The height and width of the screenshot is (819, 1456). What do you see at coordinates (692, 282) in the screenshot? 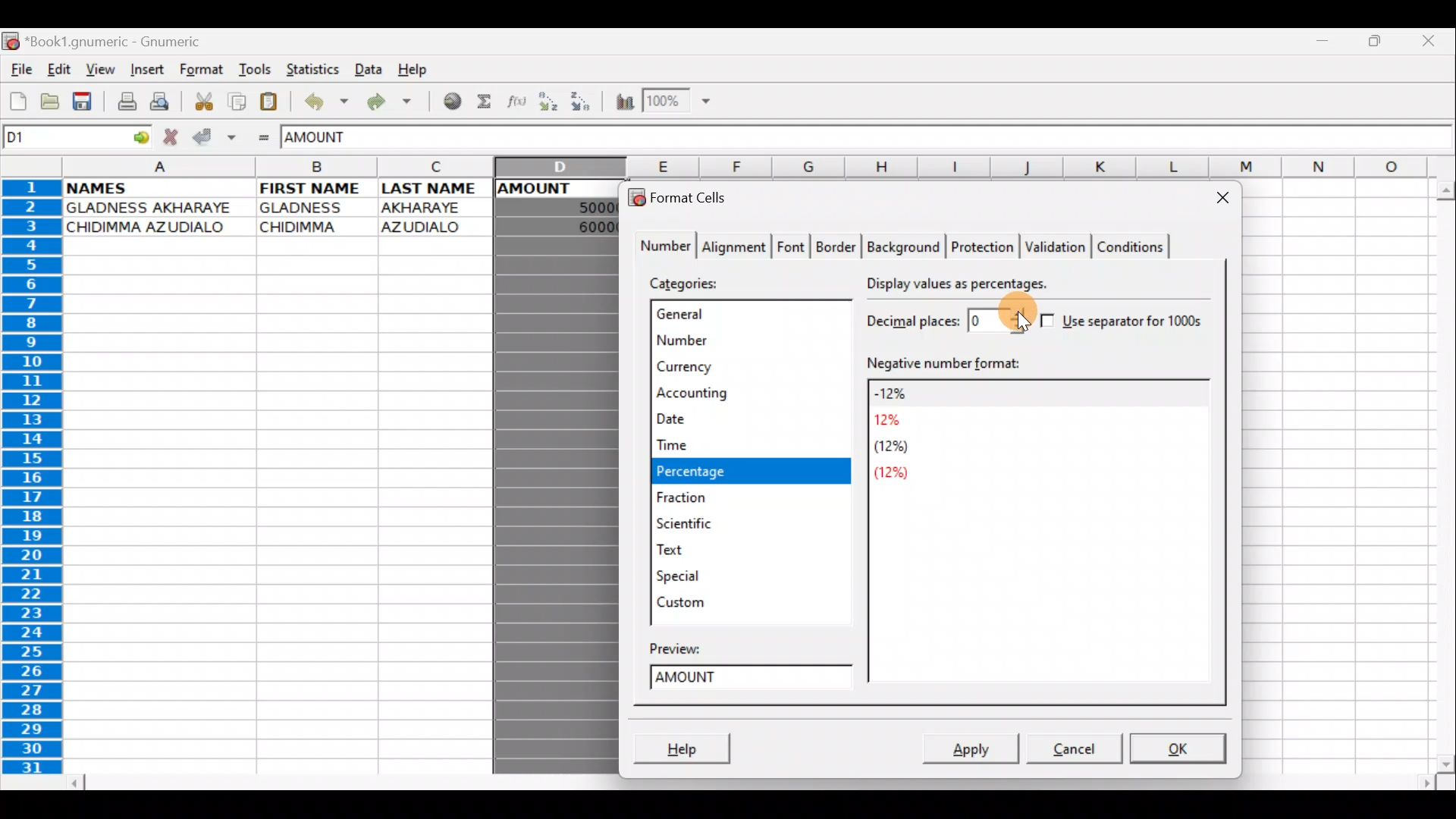
I see `Categories` at bounding box center [692, 282].